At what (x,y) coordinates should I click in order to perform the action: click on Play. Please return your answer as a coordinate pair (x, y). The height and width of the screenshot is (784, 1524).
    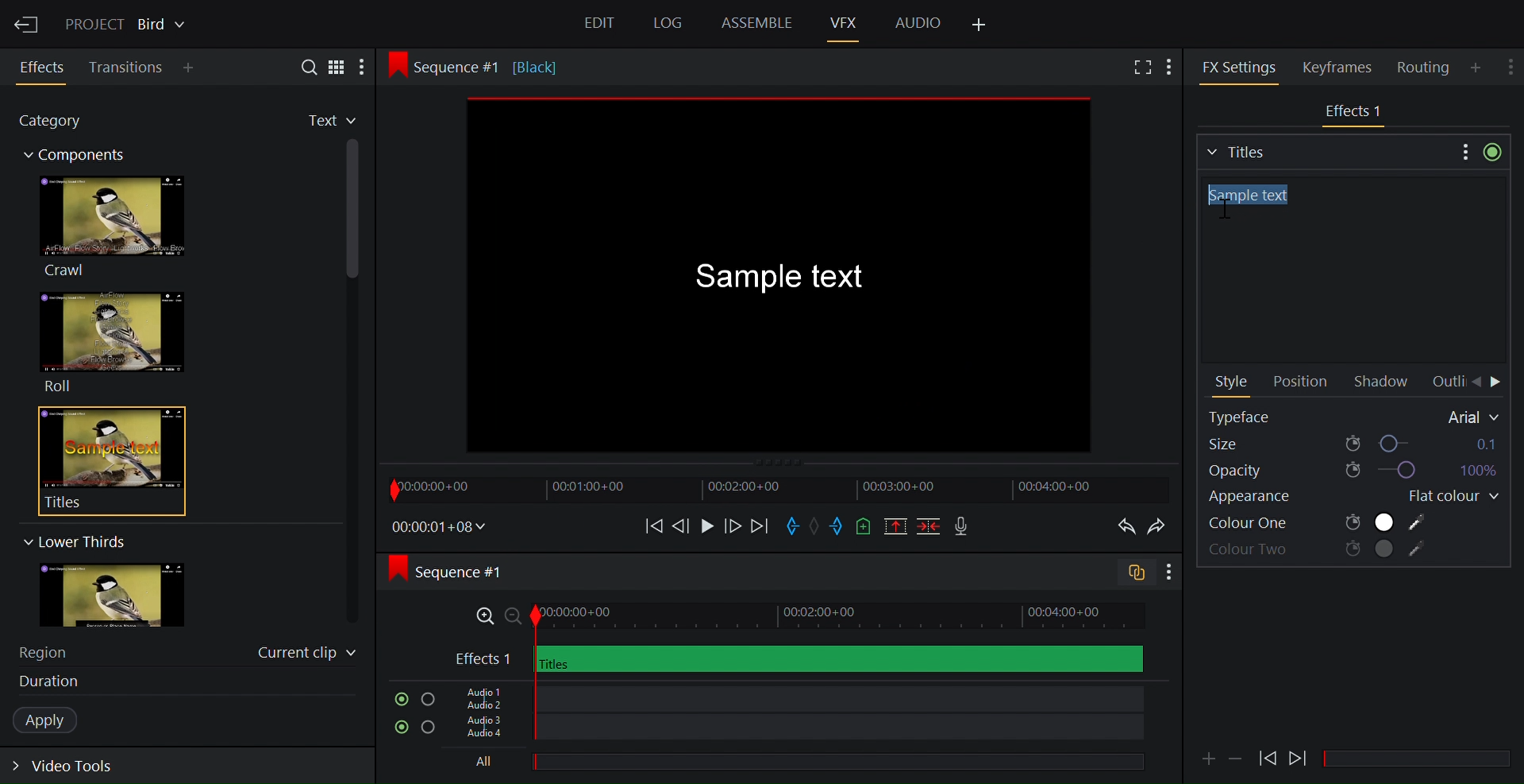
    Looking at the image, I should click on (706, 525).